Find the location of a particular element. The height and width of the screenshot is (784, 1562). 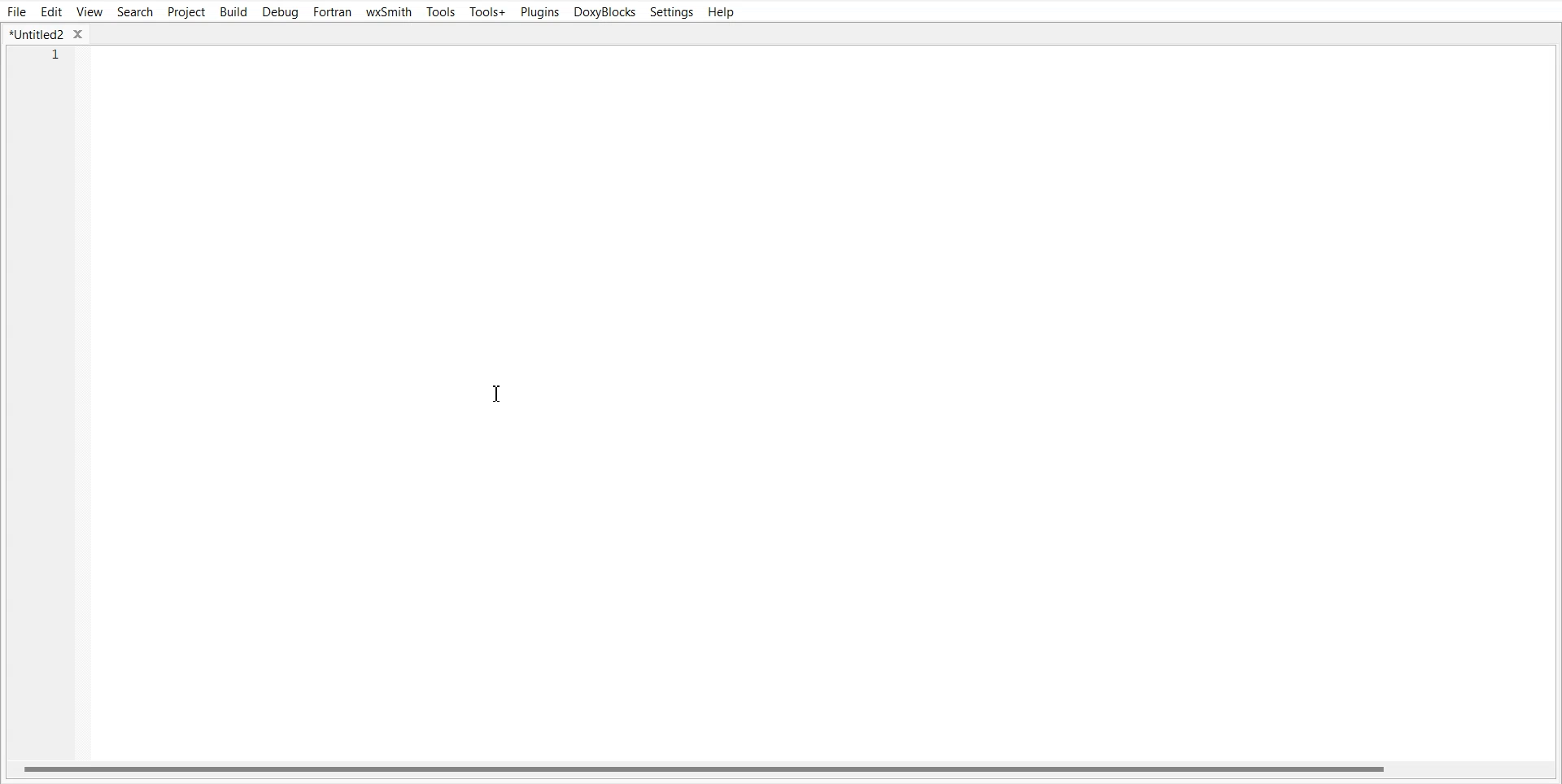

Plugins is located at coordinates (539, 12).